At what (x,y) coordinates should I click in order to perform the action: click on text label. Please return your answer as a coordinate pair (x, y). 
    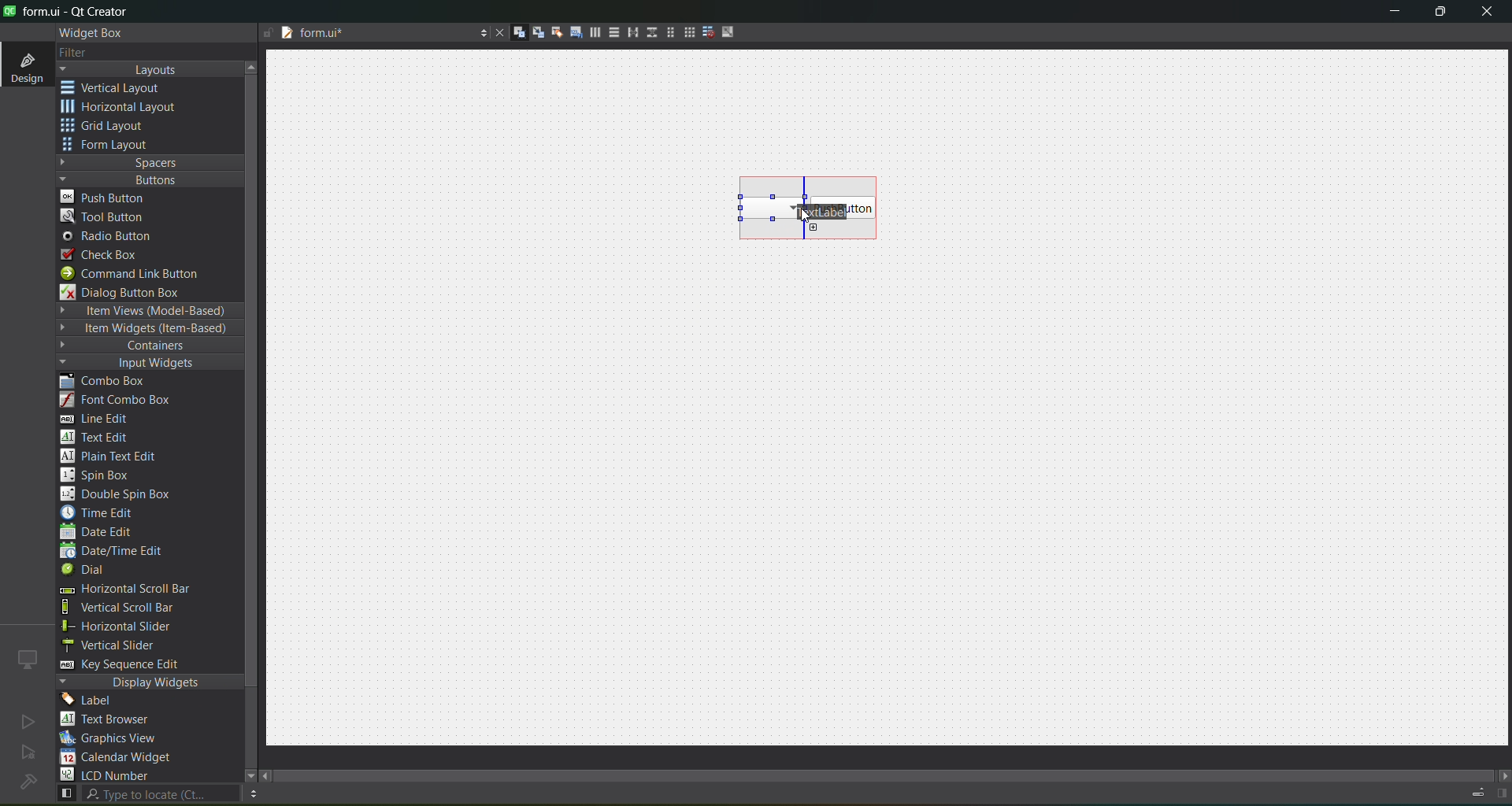
    Looking at the image, I should click on (816, 210).